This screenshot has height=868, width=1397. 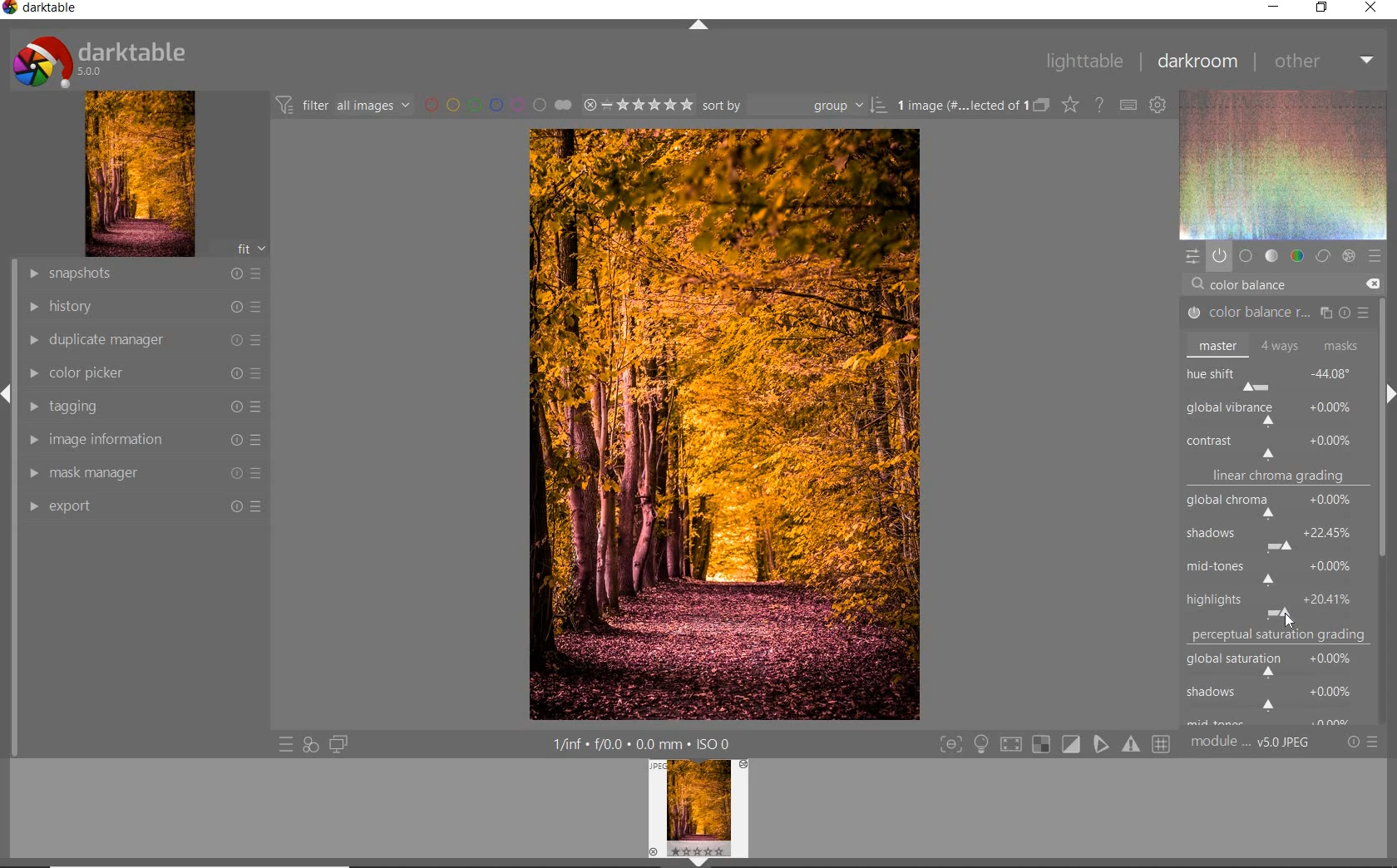 What do you see at coordinates (146, 340) in the screenshot?
I see `duplicate manager` at bounding box center [146, 340].